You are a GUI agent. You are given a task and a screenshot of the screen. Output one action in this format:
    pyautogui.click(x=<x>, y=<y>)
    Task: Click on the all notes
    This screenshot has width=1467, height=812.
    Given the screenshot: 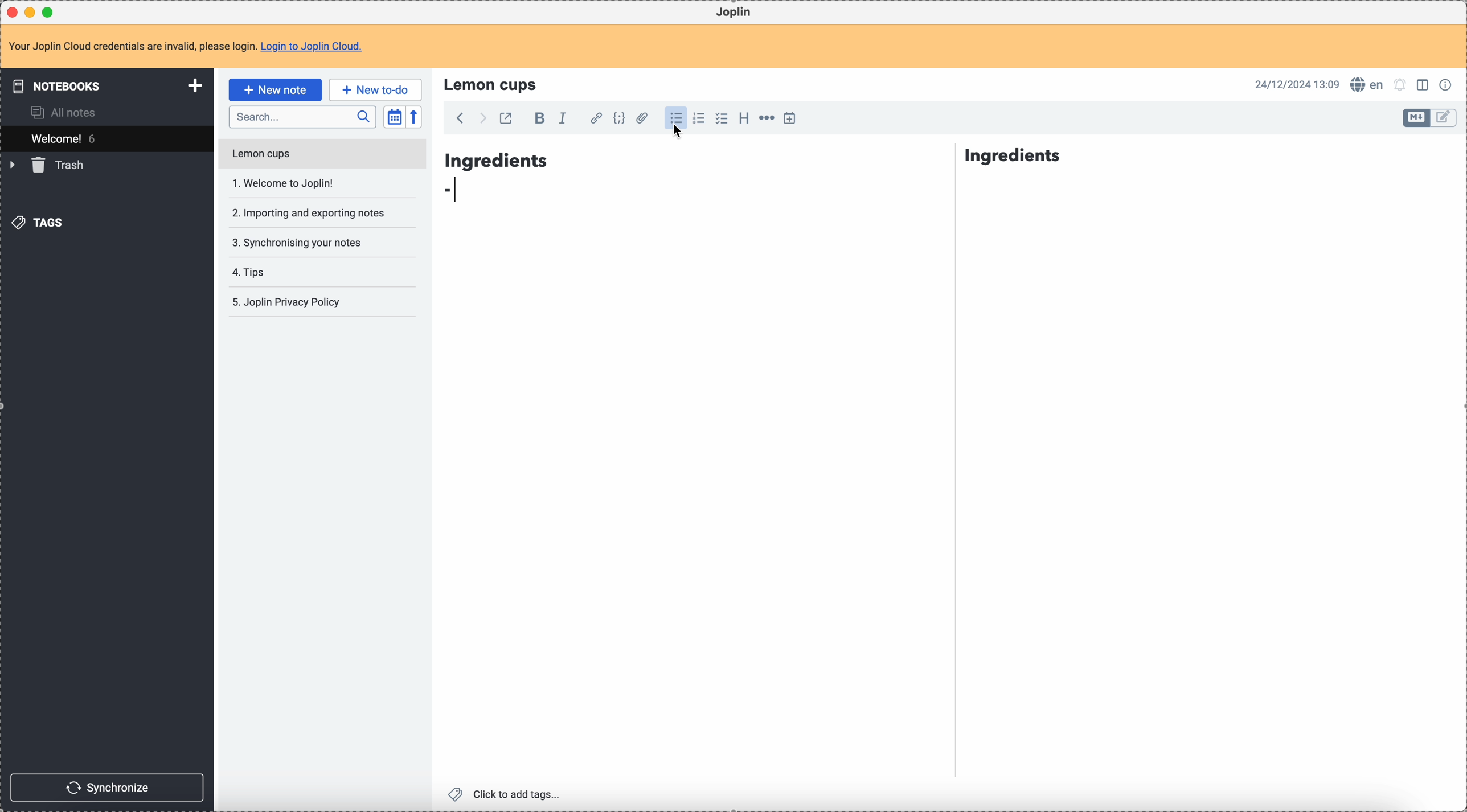 What is the action you would take?
    pyautogui.click(x=67, y=112)
    